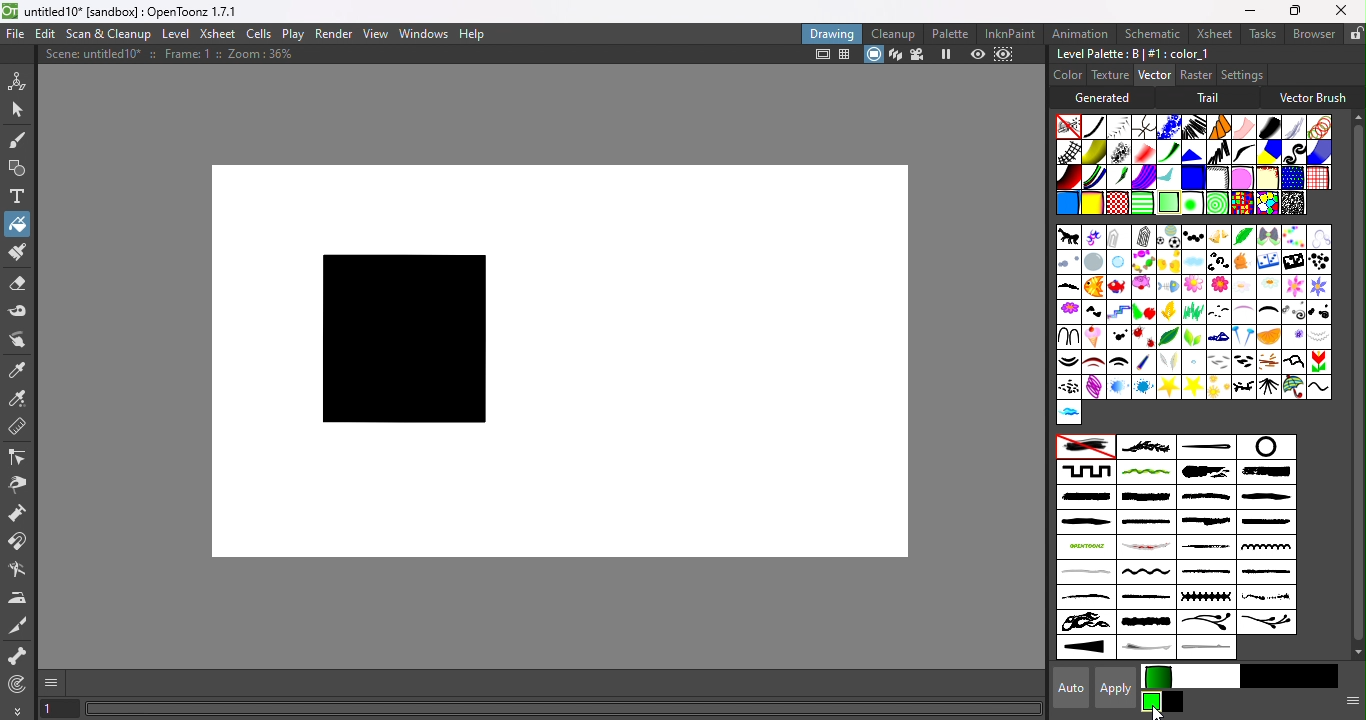 This screenshot has height=720, width=1366. What do you see at coordinates (1271, 472) in the screenshot?
I see `Large_brush2` at bounding box center [1271, 472].